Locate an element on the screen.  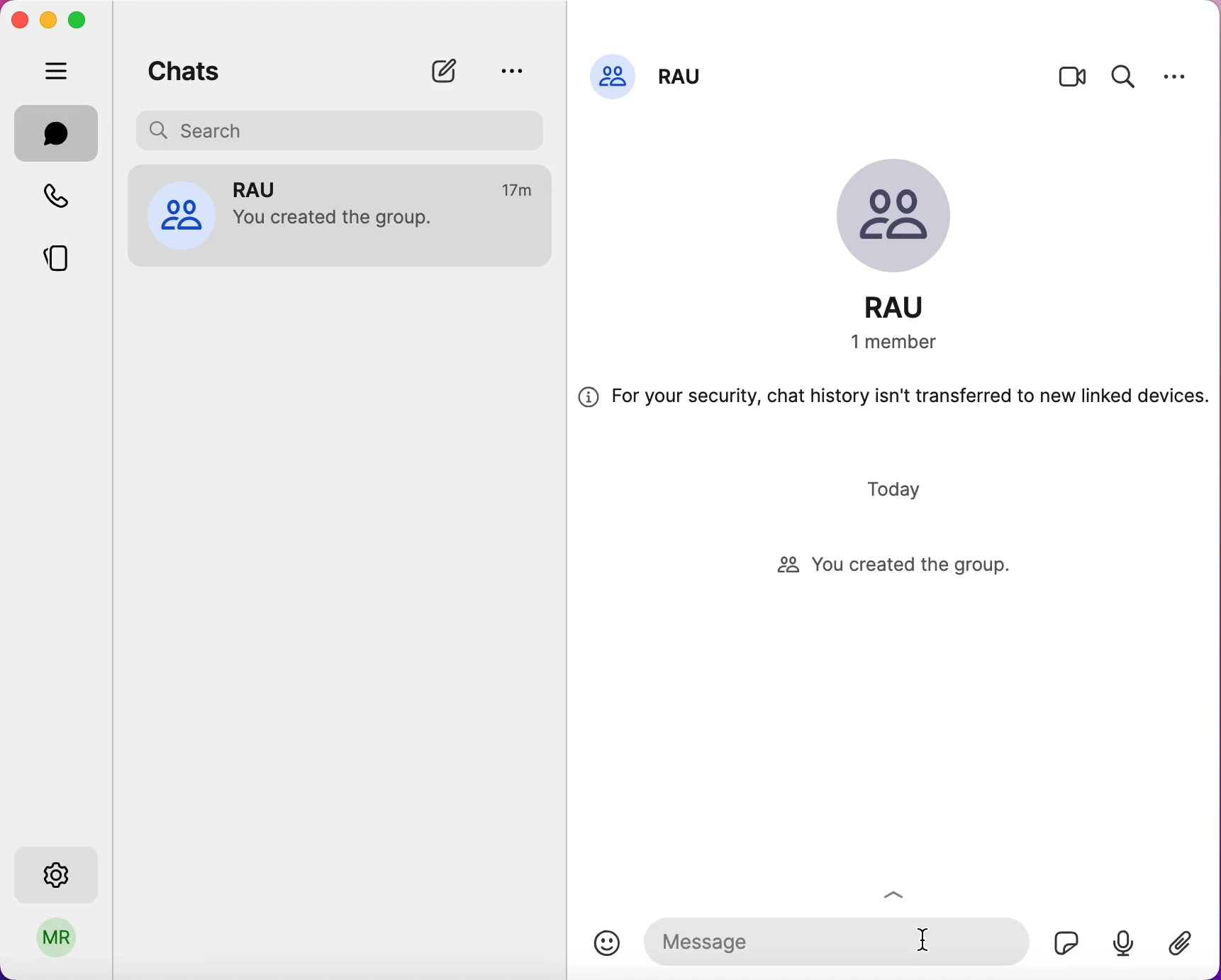
minimize is located at coordinates (47, 19).